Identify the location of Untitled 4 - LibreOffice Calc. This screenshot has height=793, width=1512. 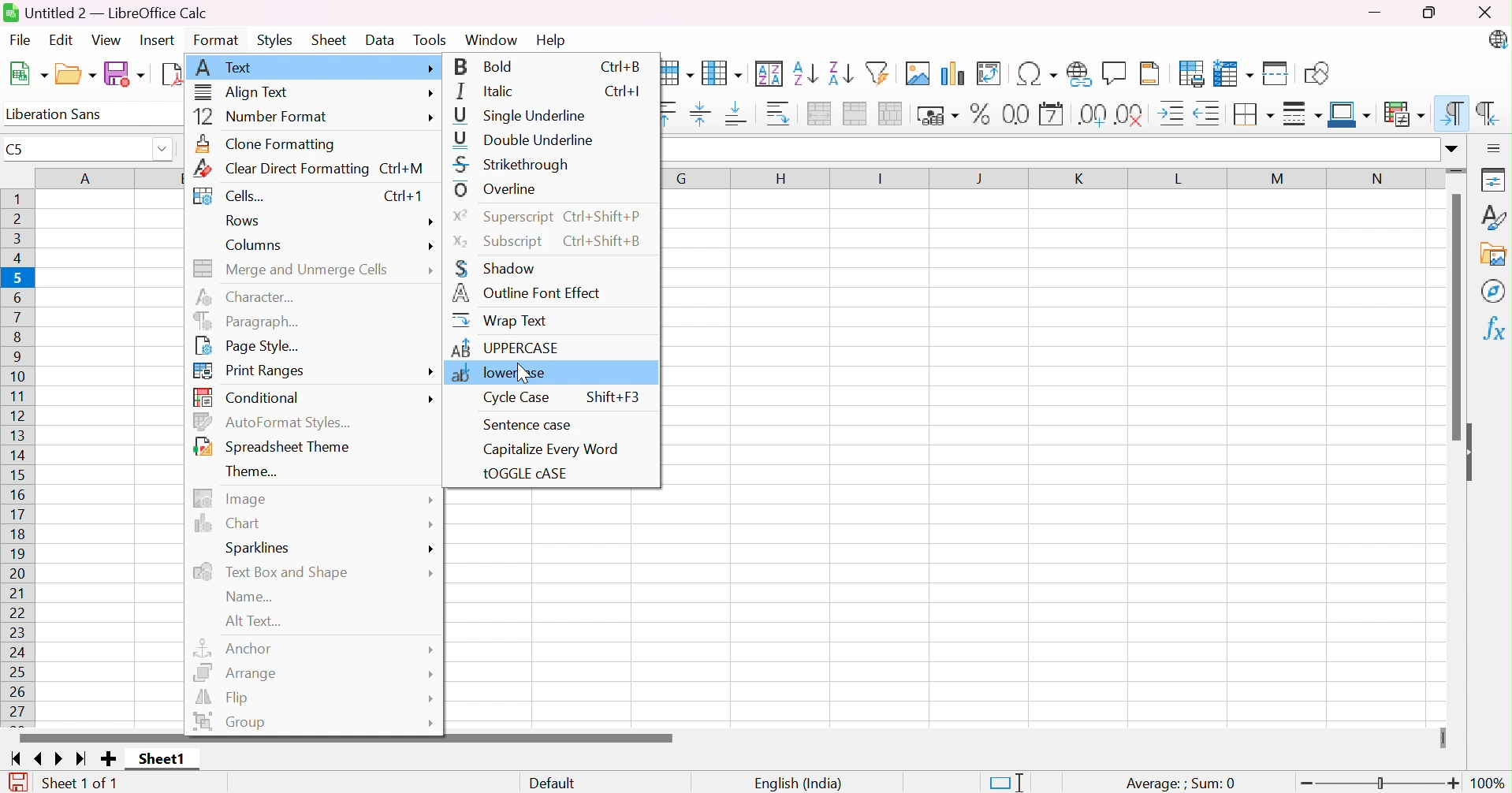
(106, 12).